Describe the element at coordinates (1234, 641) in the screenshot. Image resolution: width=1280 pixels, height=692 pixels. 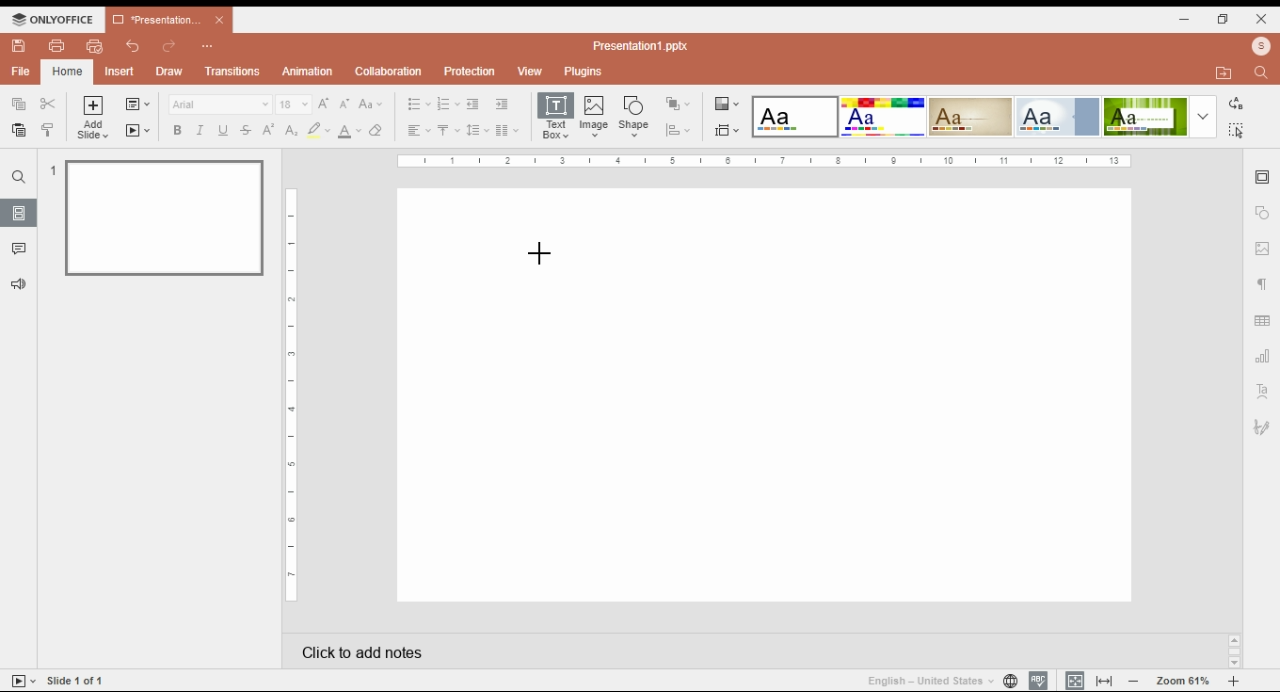
I see `scroll up` at that location.